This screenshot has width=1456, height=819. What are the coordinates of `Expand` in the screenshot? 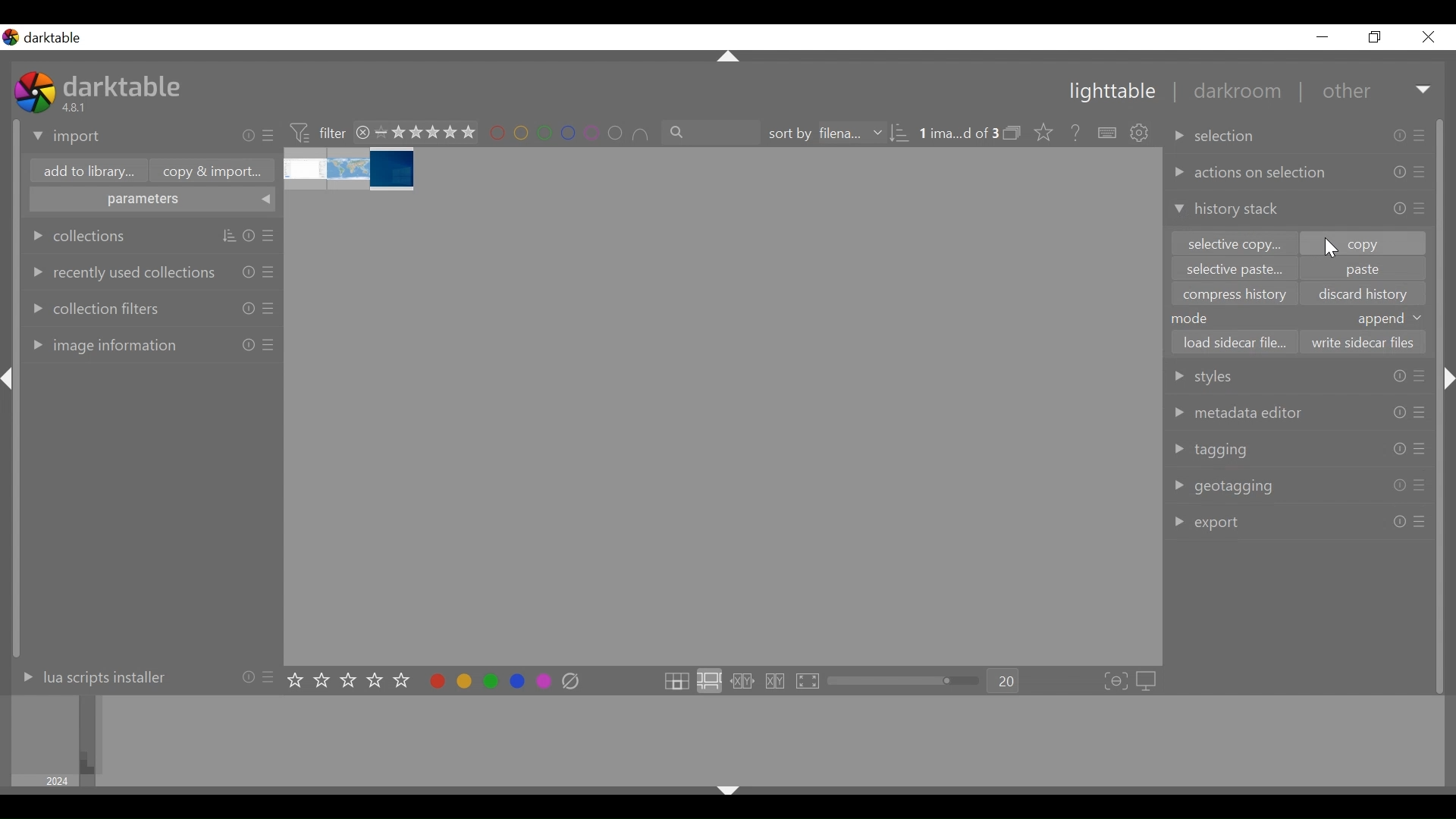 It's located at (1425, 91).